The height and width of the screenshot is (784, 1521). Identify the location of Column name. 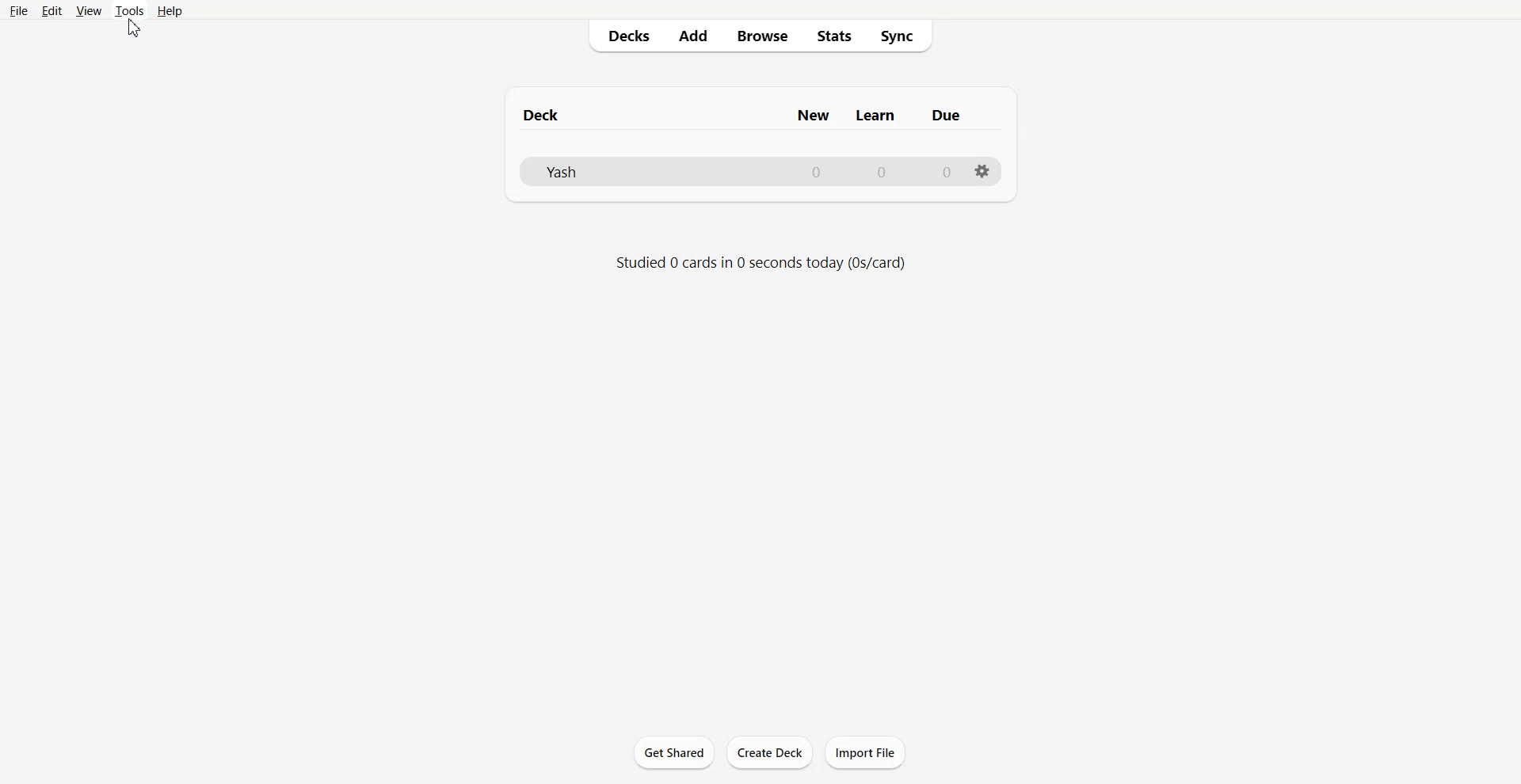
(946, 115).